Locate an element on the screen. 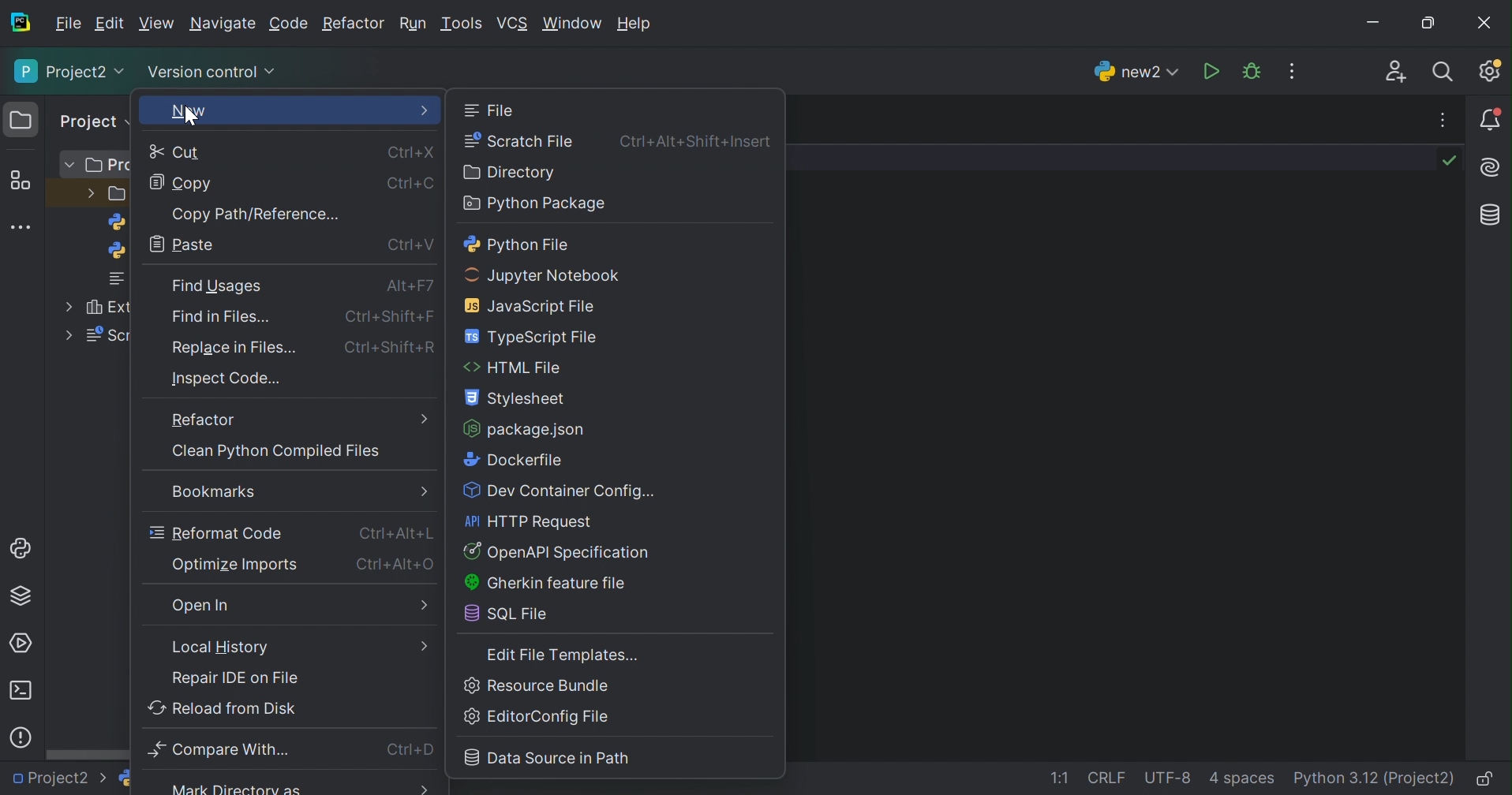 This screenshot has height=795, width=1512. Help is located at coordinates (636, 22).